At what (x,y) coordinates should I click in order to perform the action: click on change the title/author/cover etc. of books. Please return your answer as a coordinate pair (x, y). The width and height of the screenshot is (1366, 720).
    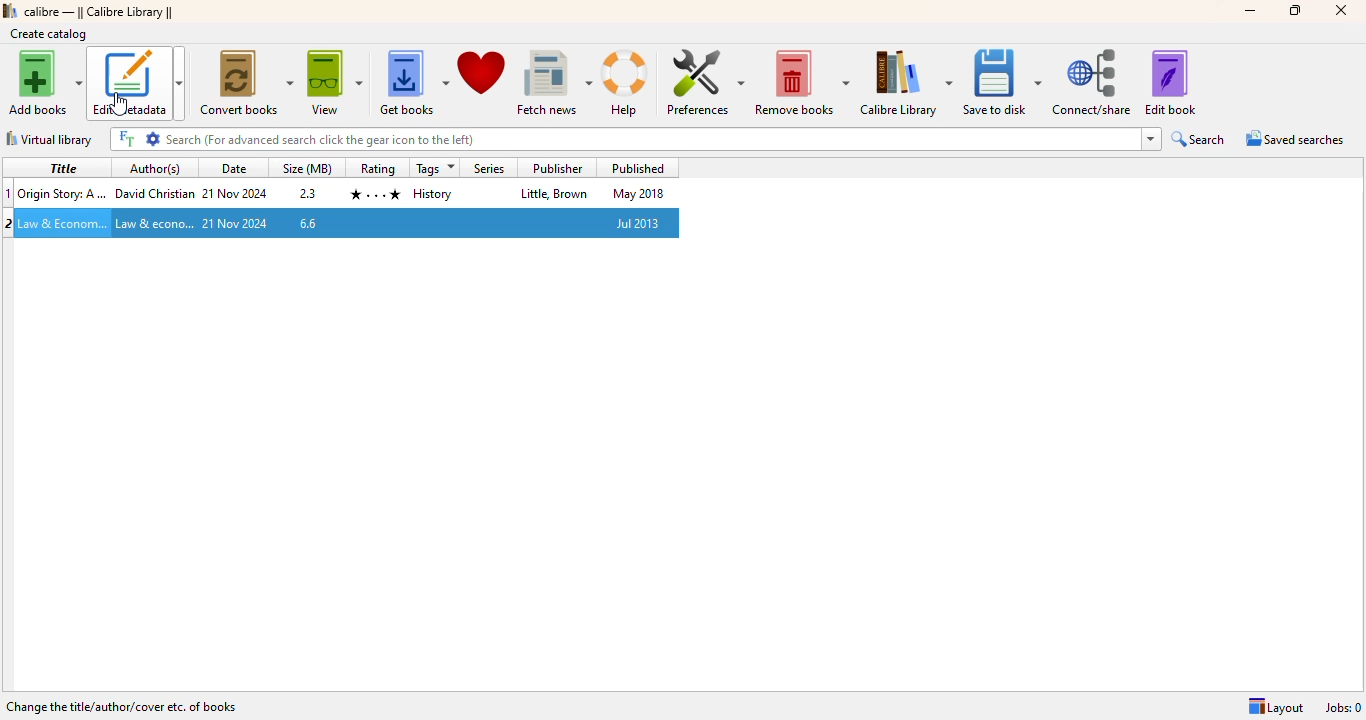
    Looking at the image, I should click on (122, 707).